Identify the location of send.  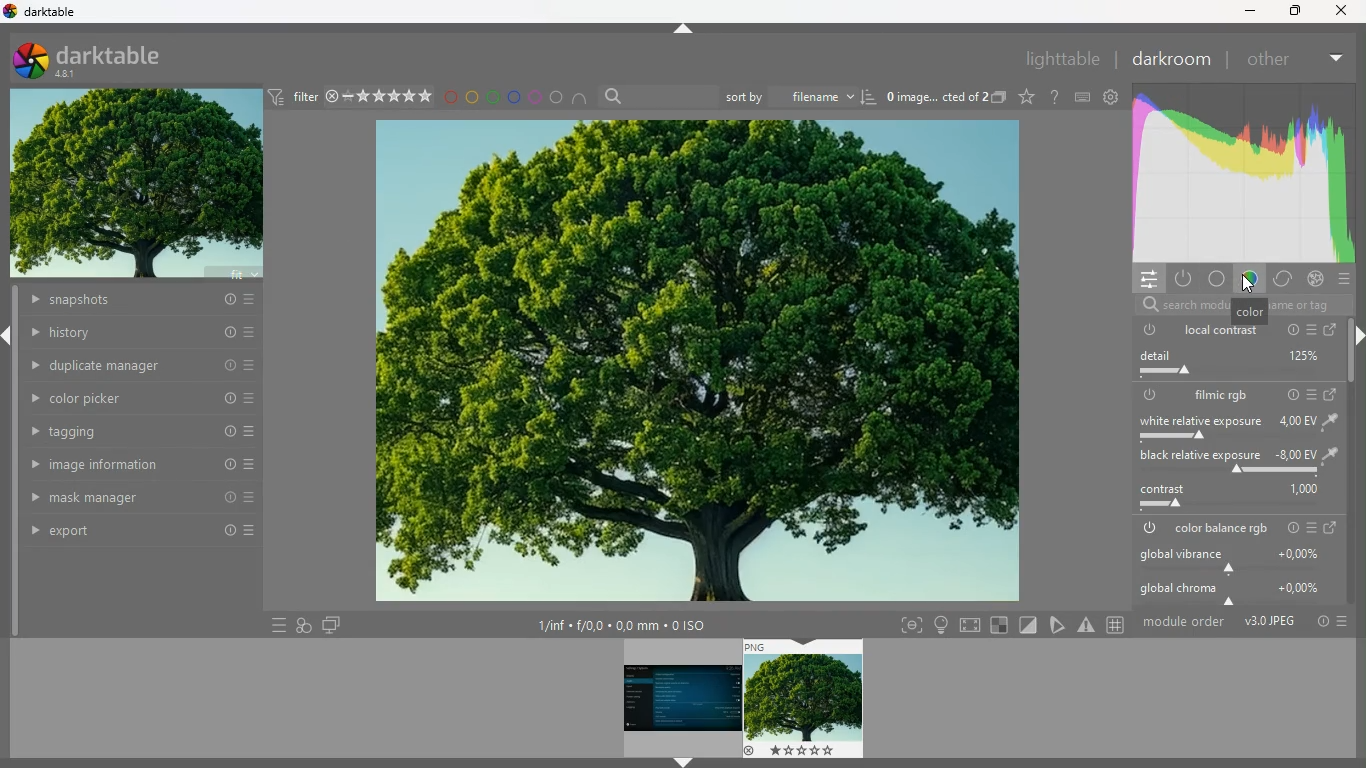
(1331, 393).